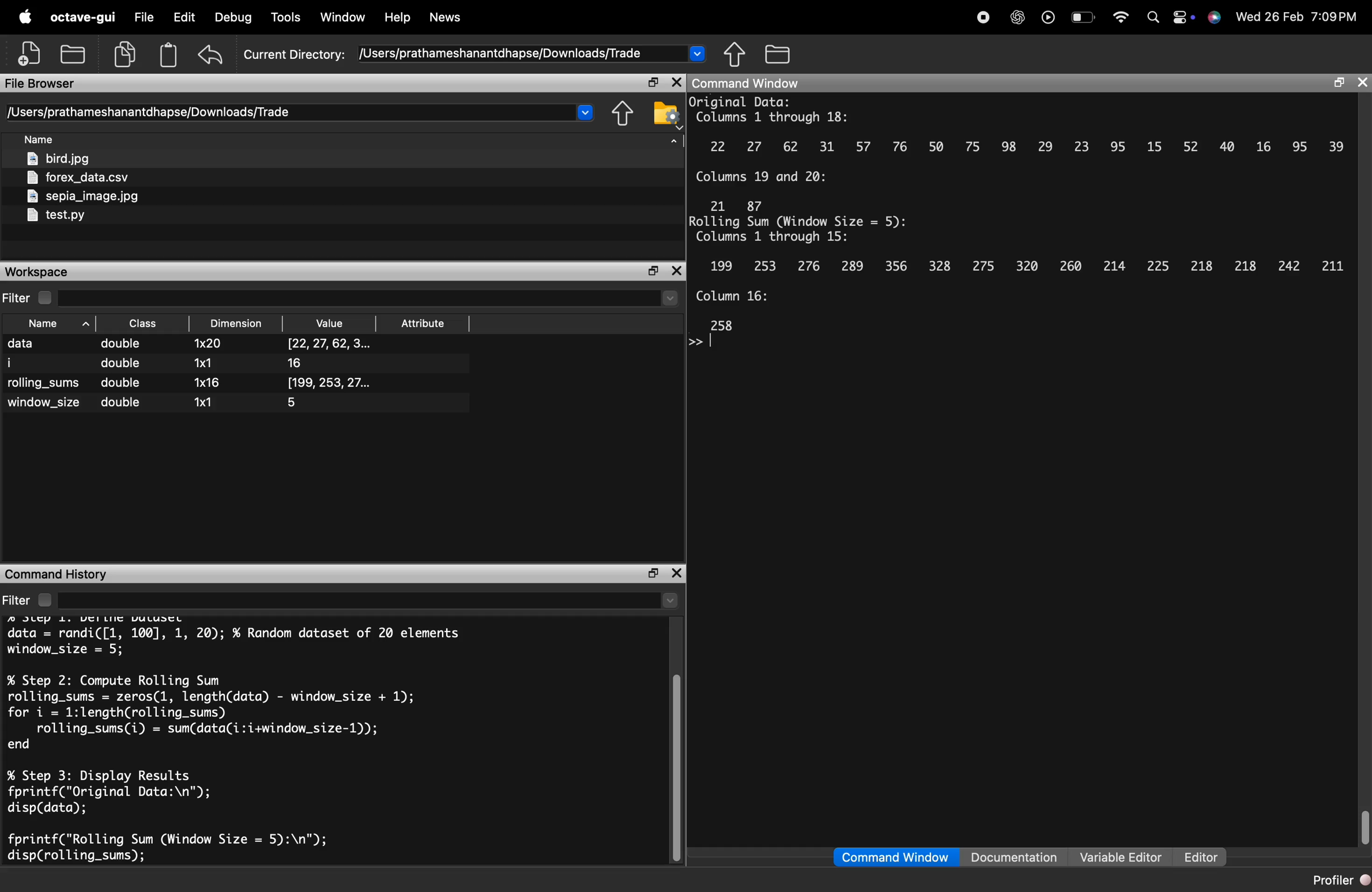  I want to click on dimension, so click(218, 375).